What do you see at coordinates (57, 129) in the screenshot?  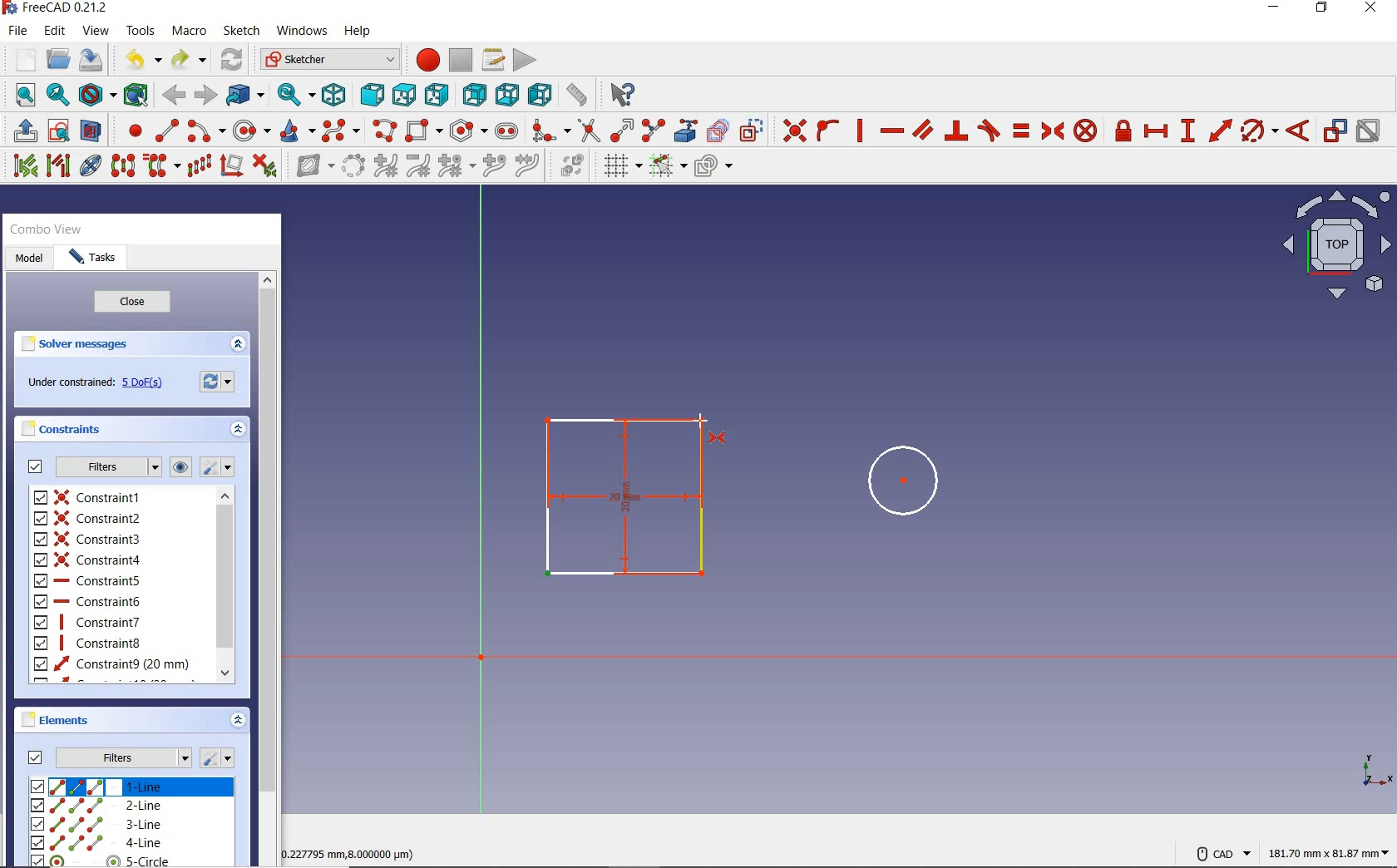 I see `create sketch` at bounding box center [57, 129].